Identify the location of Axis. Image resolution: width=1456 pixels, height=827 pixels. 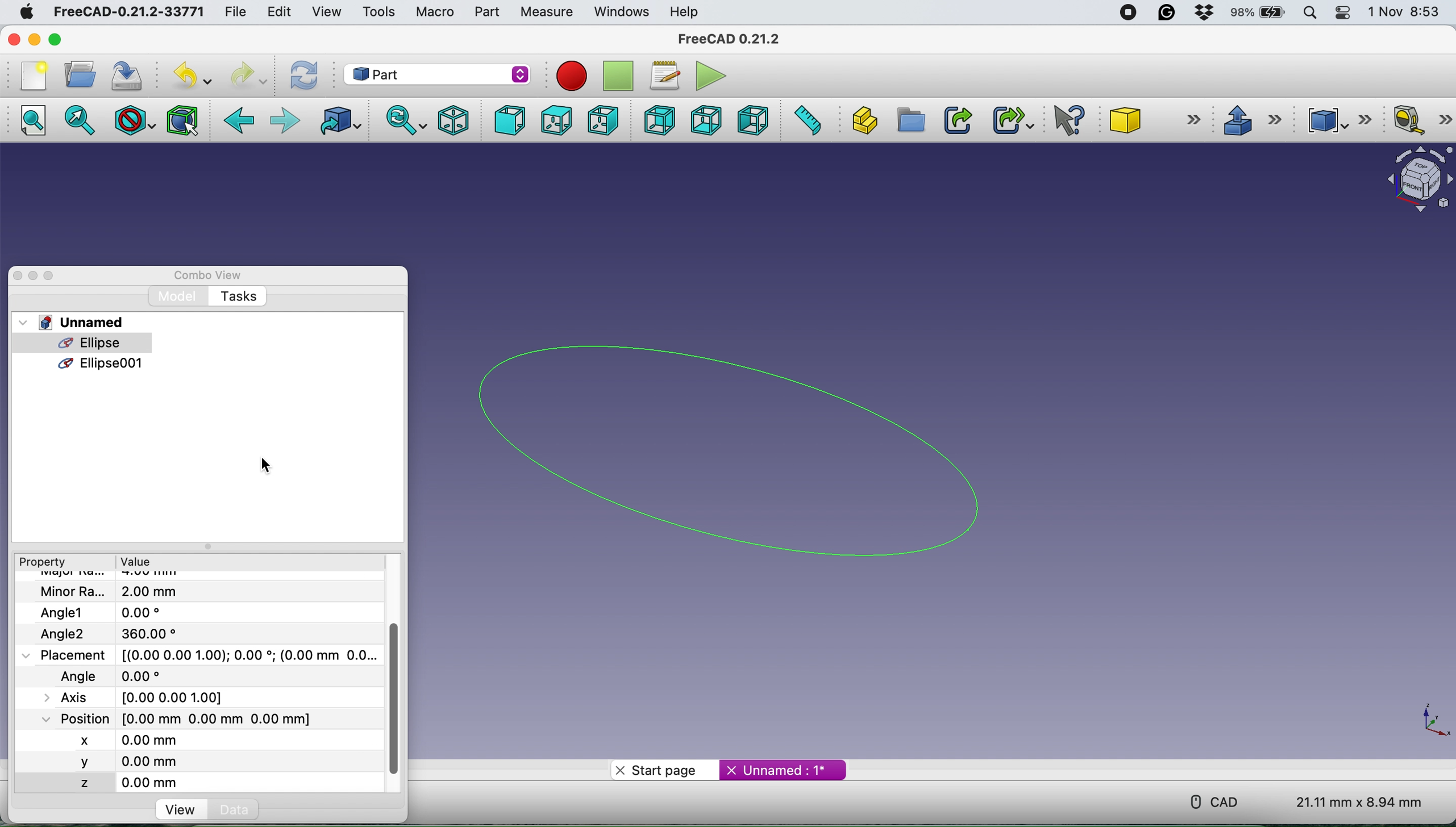
(144, 695).